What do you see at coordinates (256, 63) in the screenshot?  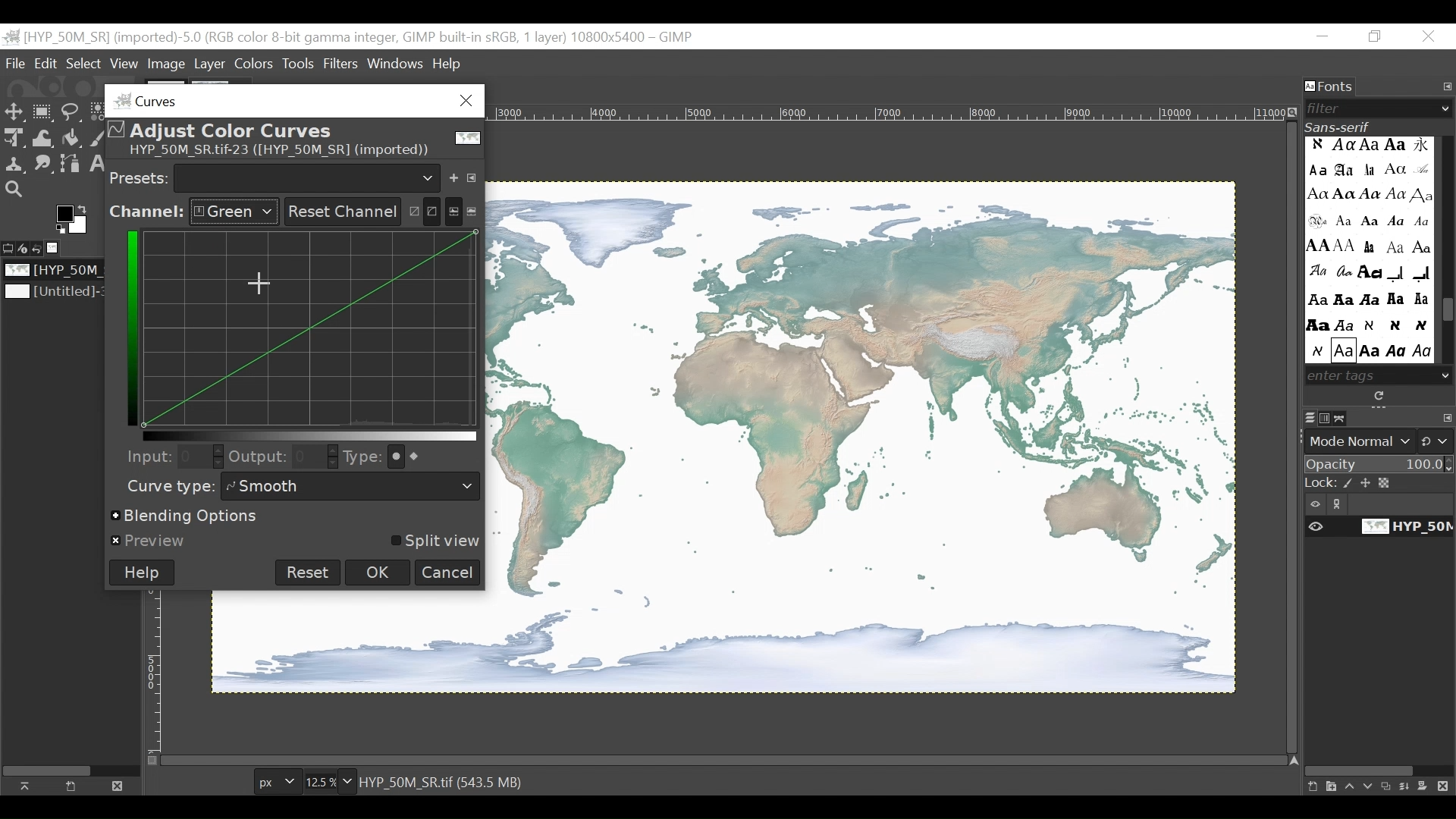 I see `Colors` at bounding box center [256, 63].